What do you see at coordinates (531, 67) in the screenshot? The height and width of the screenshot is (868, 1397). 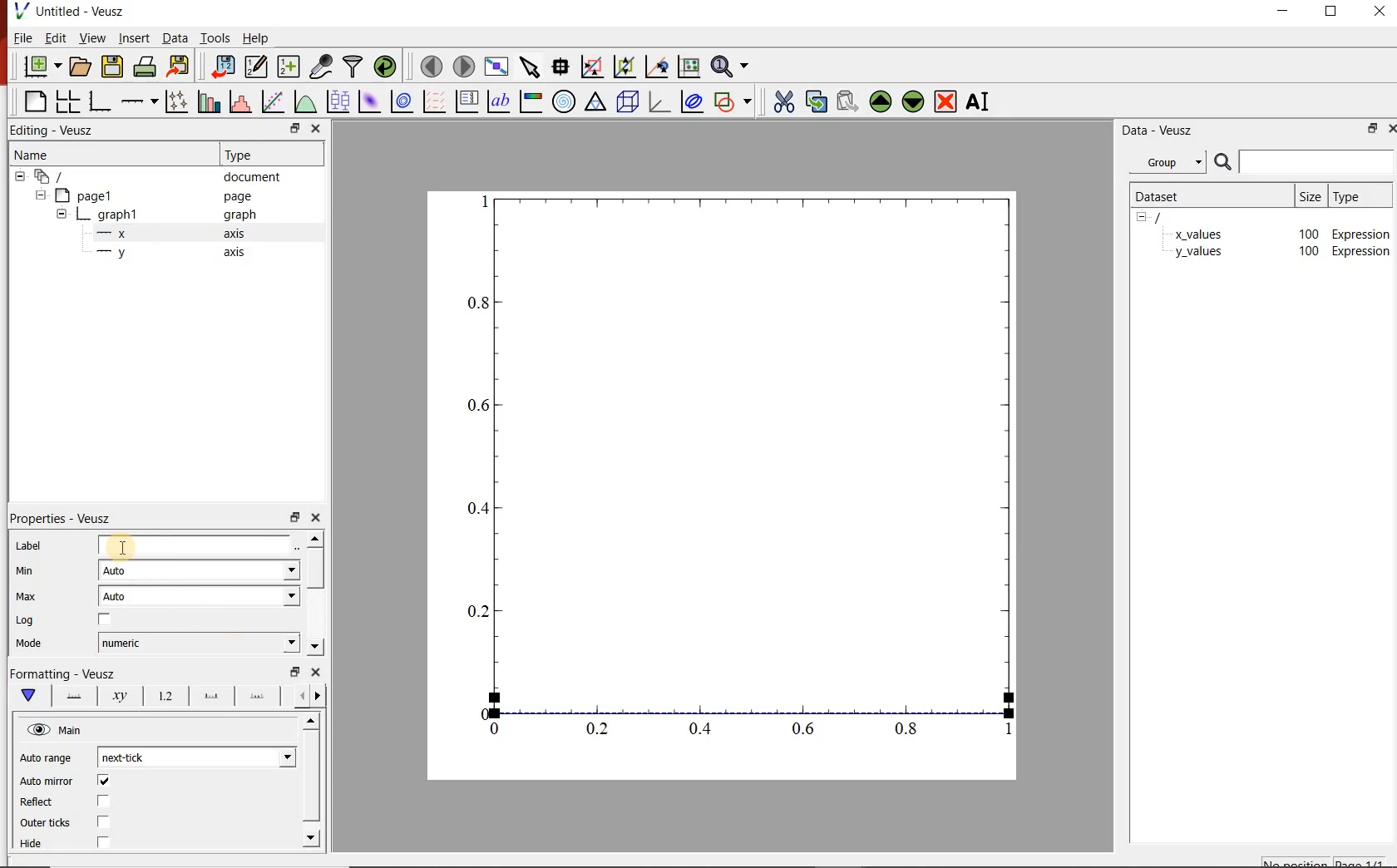 I see `select items from the graph` at bounding box center [531, 67].